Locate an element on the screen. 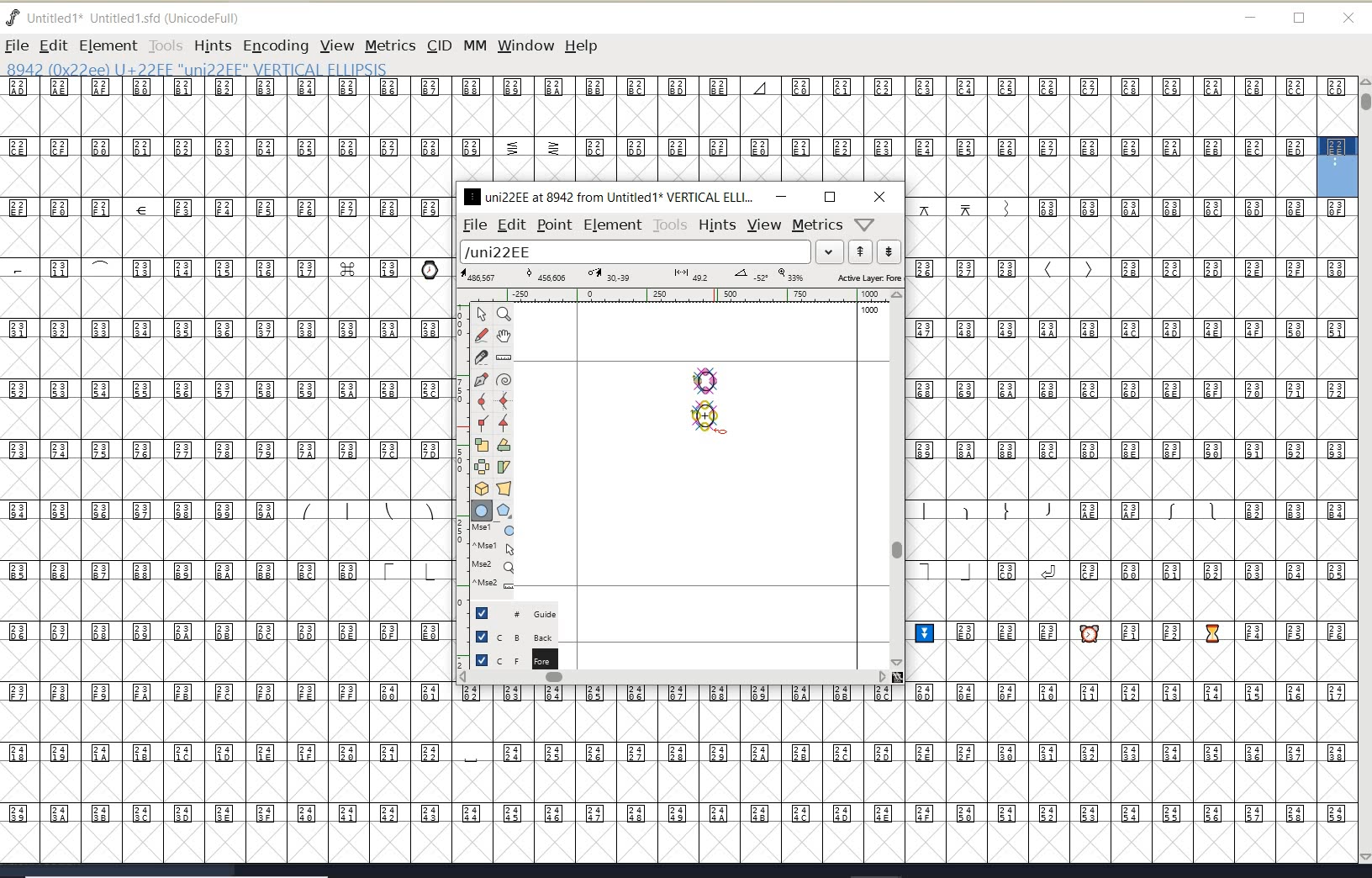 The height and width of the screenshot is (878, 1372). add a point, then drag out its control points is located at coordinates (481, 378).